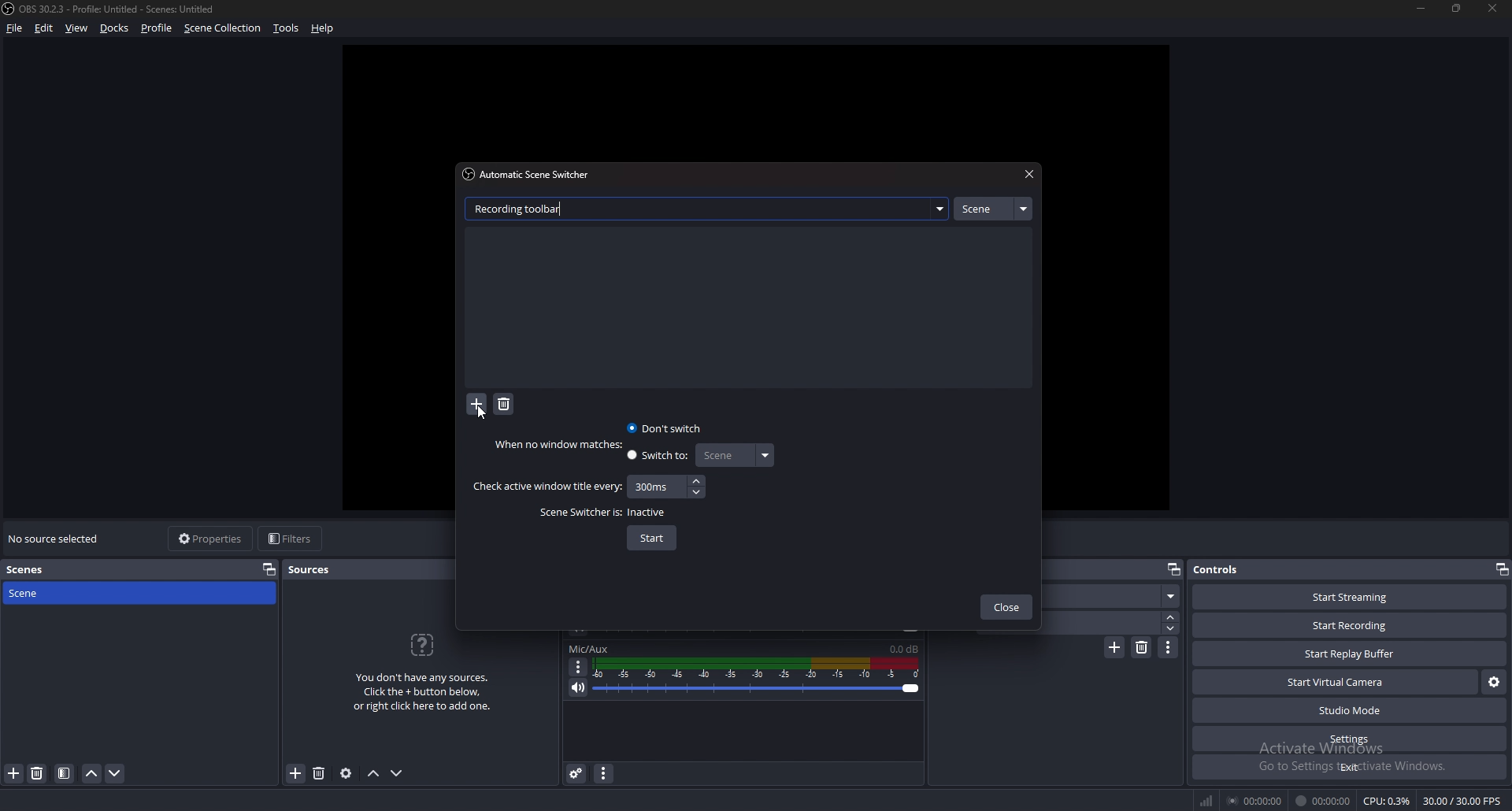 The width and height of the screenshot is (1512, 811). What do you see at coordinates (157, 28) in the screenshot?
I see `profile` at bounding box center [157, 28].